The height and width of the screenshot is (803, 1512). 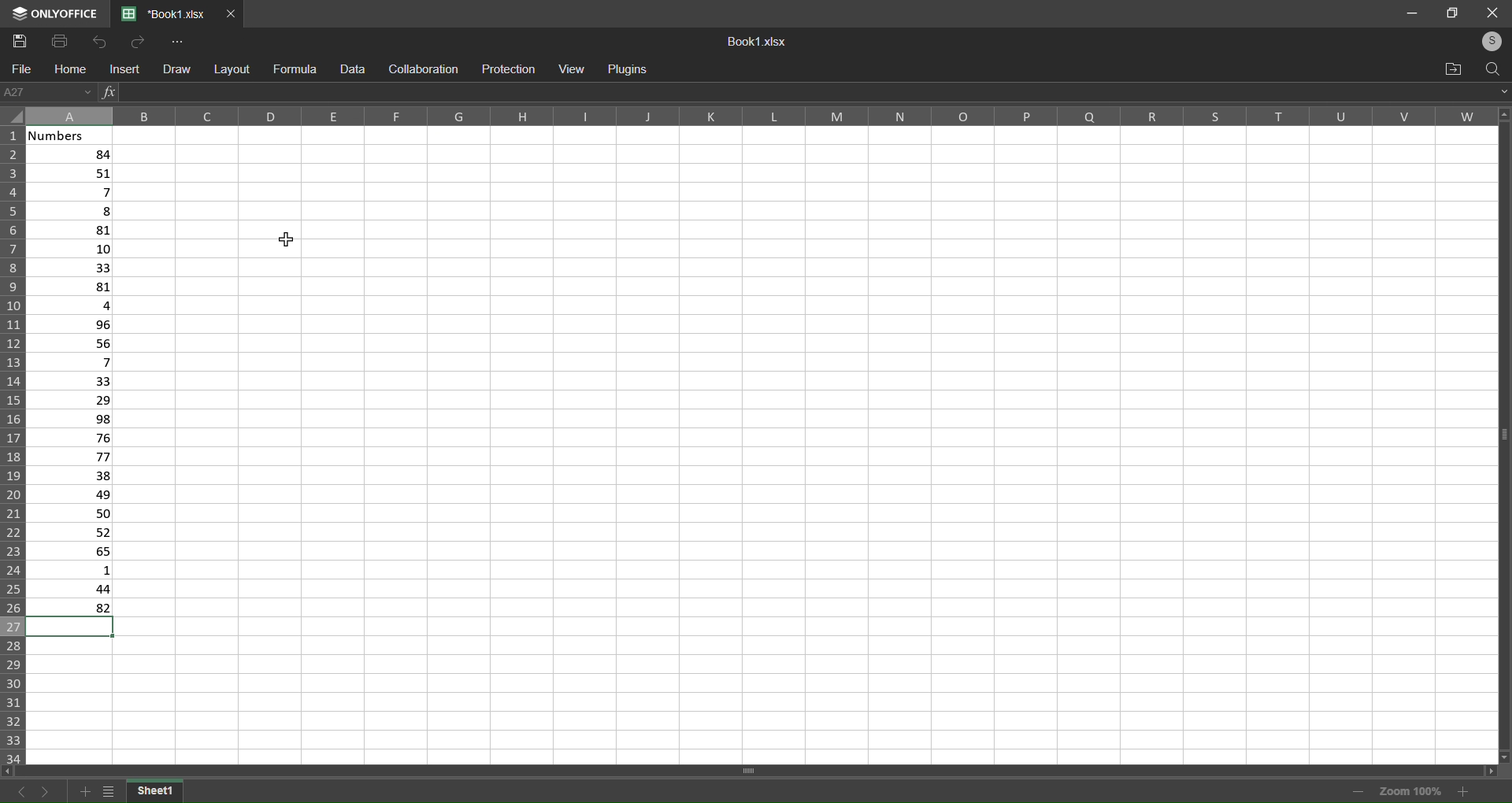 I want to click on *Book1.xlsx, so click(x=165, y=14).